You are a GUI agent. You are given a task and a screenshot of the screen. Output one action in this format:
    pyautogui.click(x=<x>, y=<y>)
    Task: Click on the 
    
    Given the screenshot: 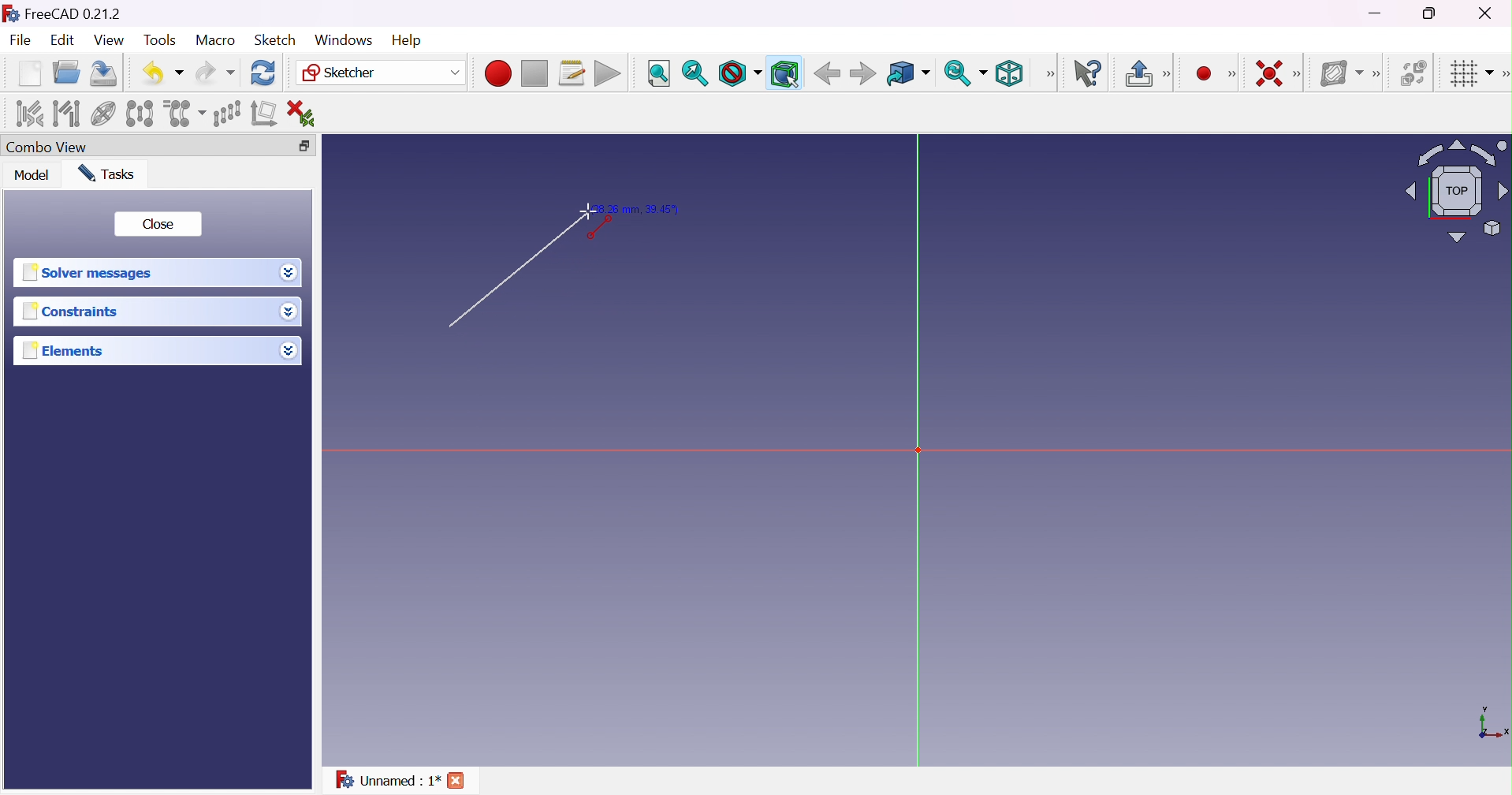 What is the action you would take?
    pyautogui.click(x=1138, y=73)
    